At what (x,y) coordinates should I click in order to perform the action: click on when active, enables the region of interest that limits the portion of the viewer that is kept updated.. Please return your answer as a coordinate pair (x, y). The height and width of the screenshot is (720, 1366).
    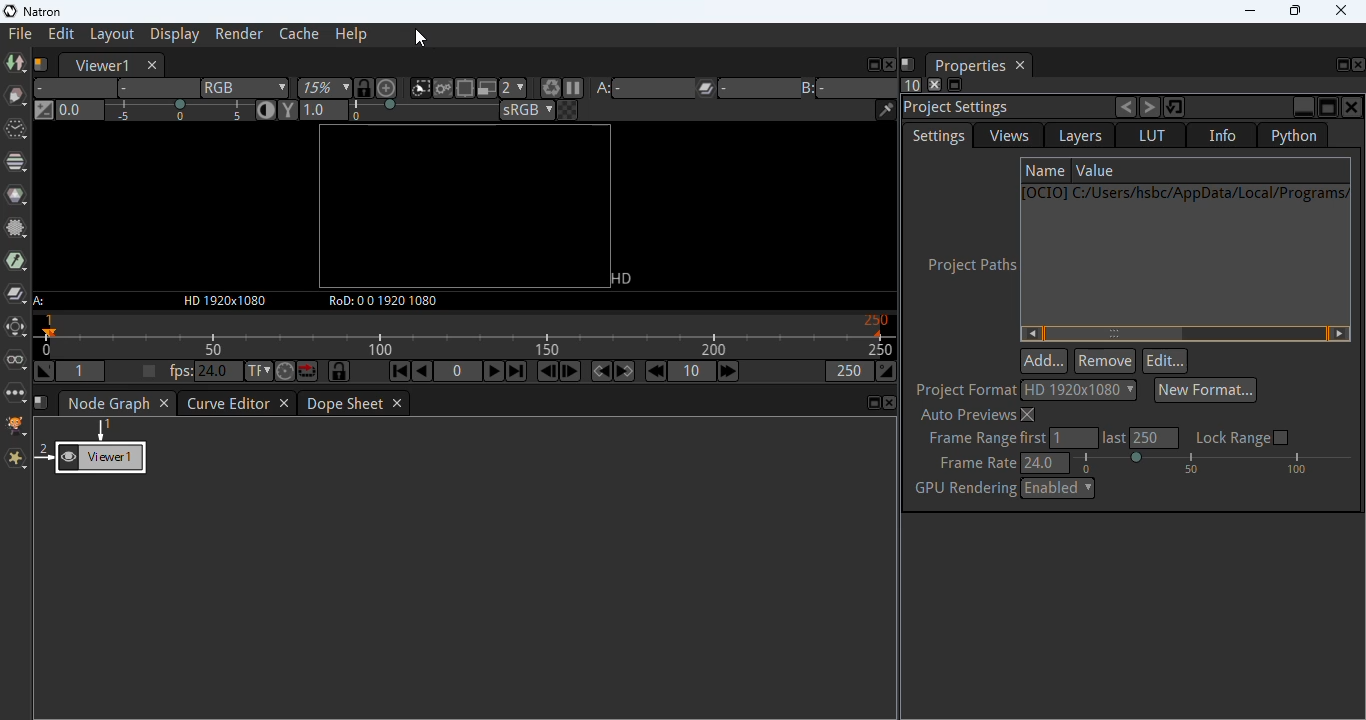
    Looking at the image, I should click on (464, 88).